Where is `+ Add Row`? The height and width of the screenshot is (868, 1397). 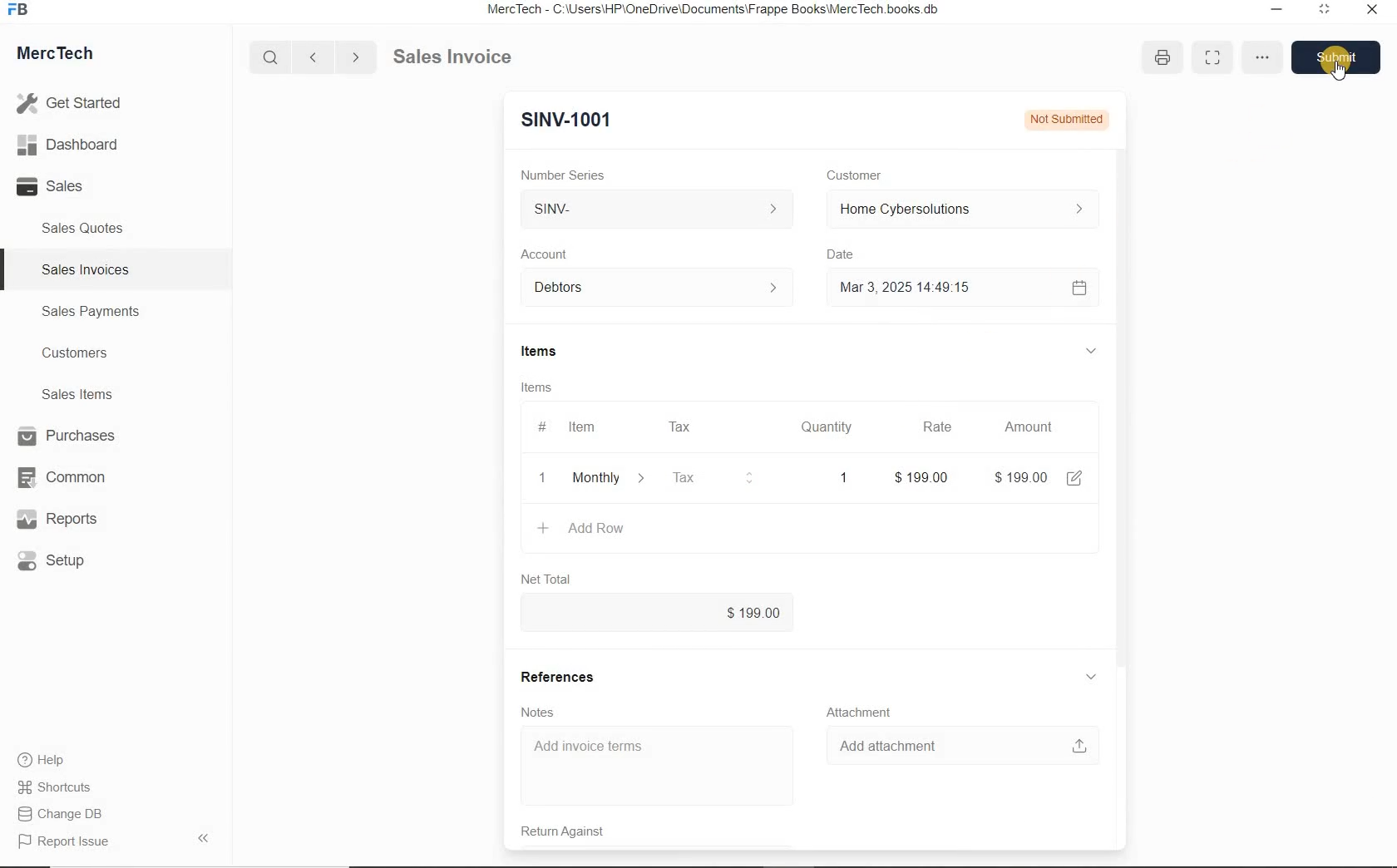
+ Add Row is located at coordinates (591, 478).